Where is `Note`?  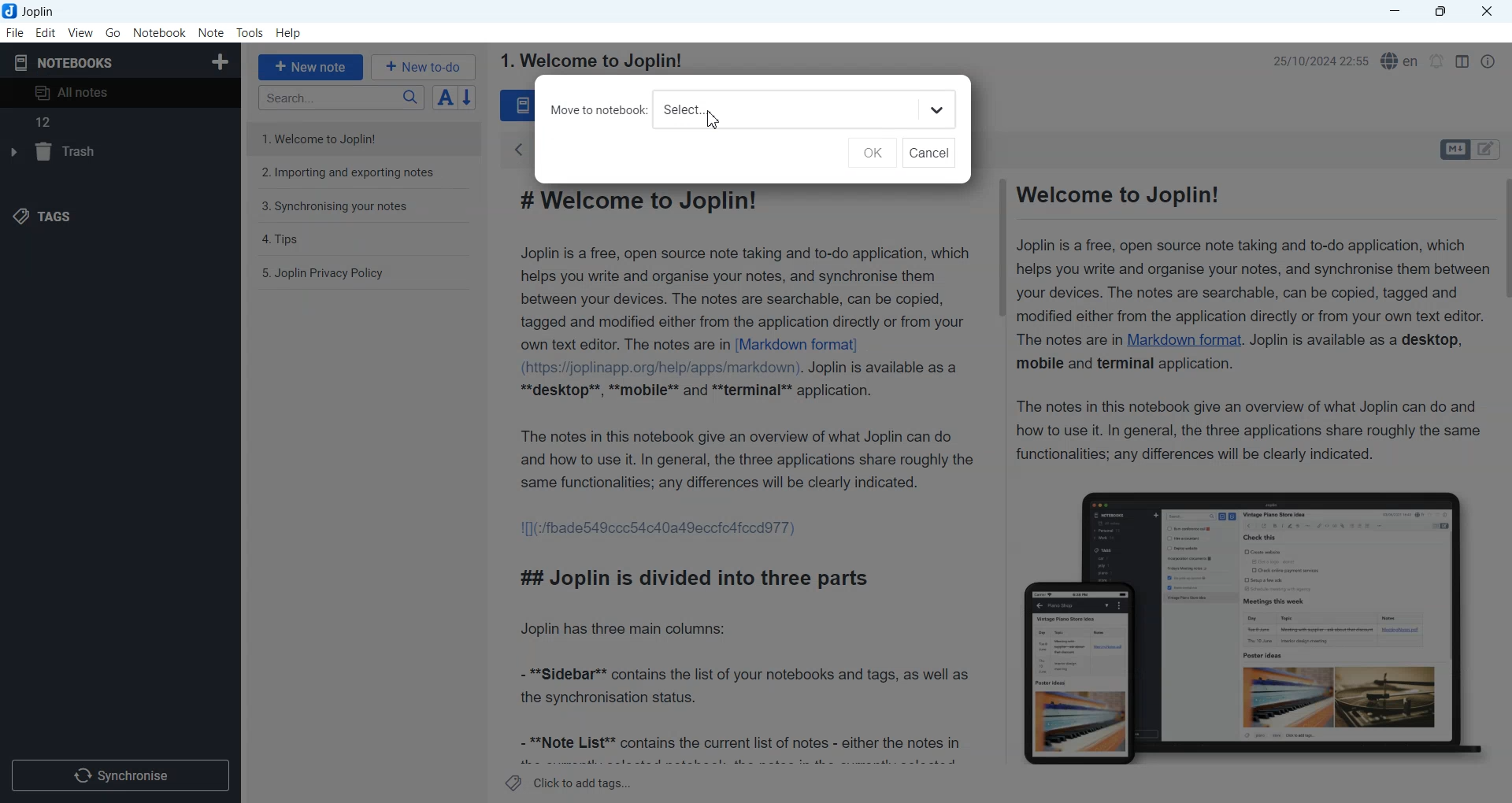 Note is located at coordinates (210, 33).